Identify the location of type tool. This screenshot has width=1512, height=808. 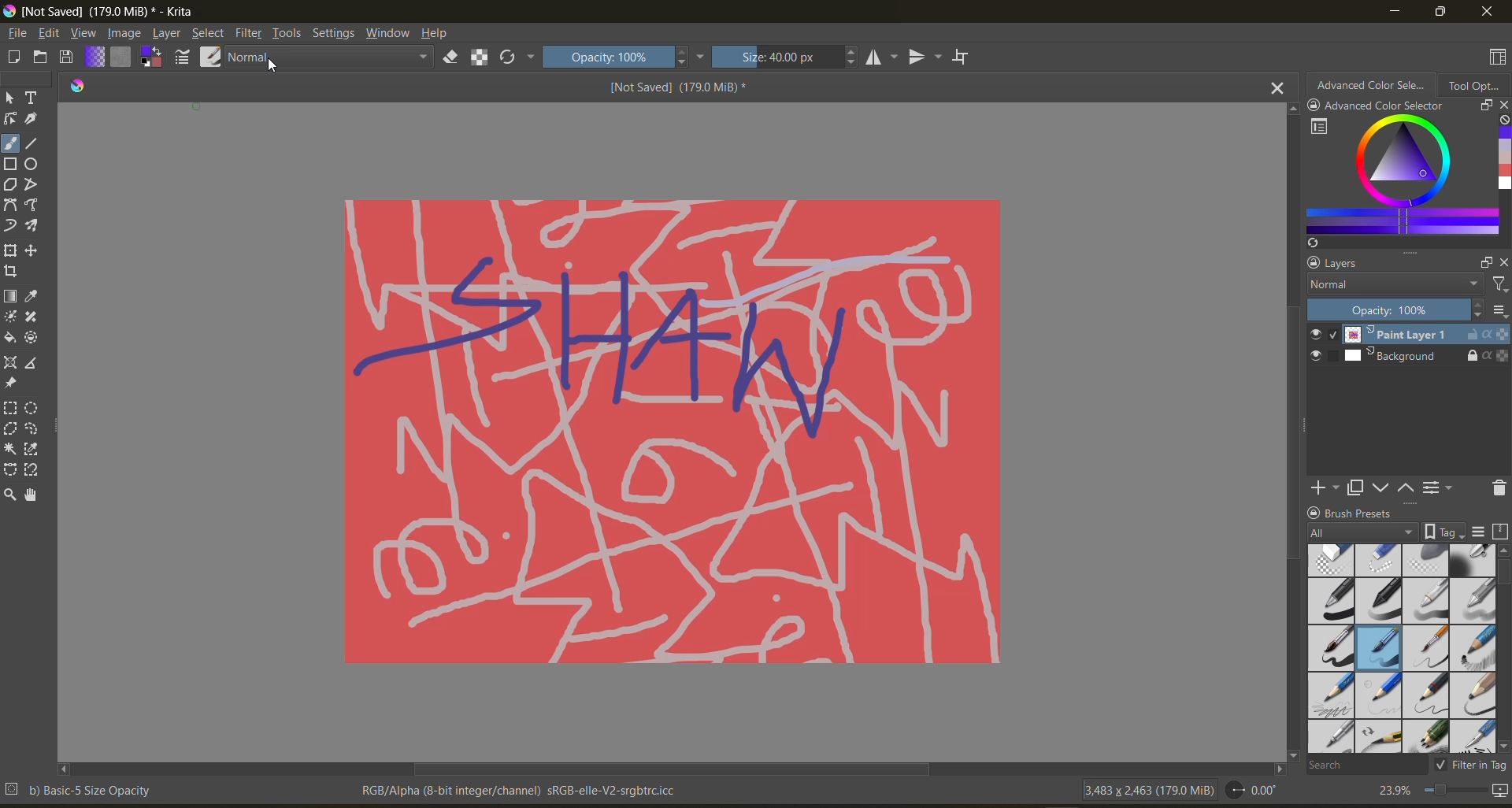
(33, 98).